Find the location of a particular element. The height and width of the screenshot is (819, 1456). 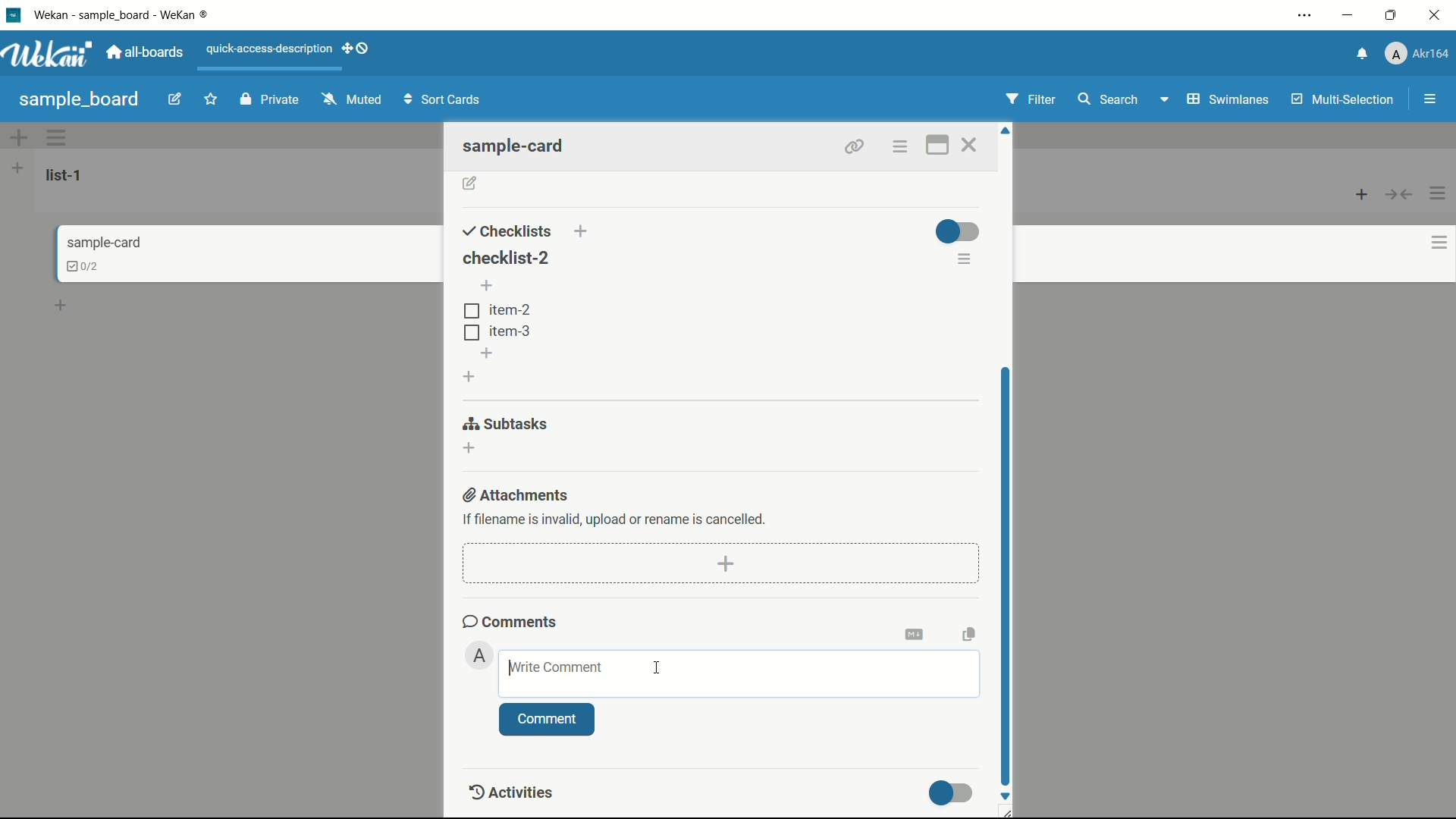

notifications is located at coordinates (1363, 52).